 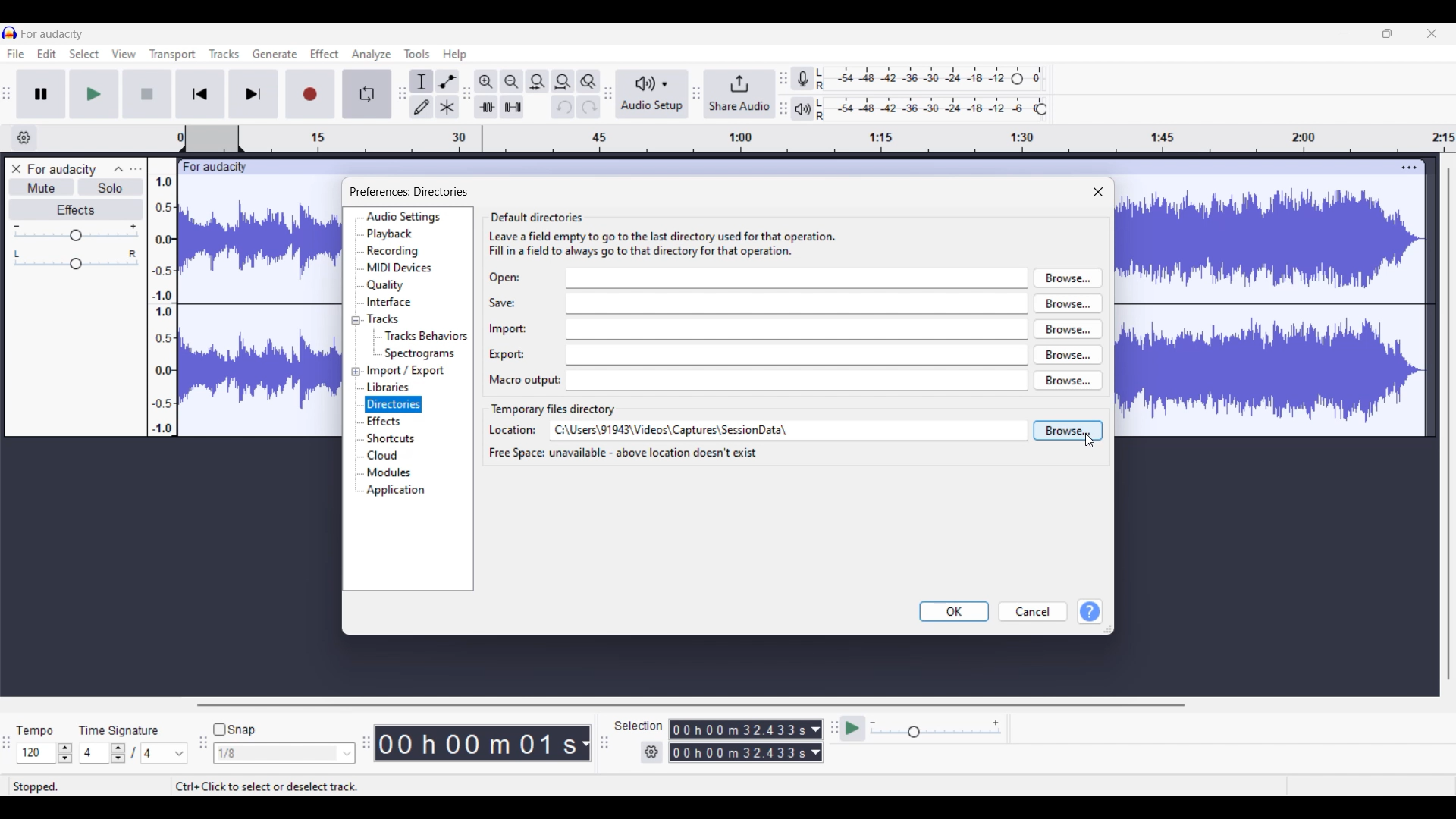 What do you see at coordinates (689, 705) in the screenshot?
I see `Horizontal scroll bar` at bounding box center [689, 705].